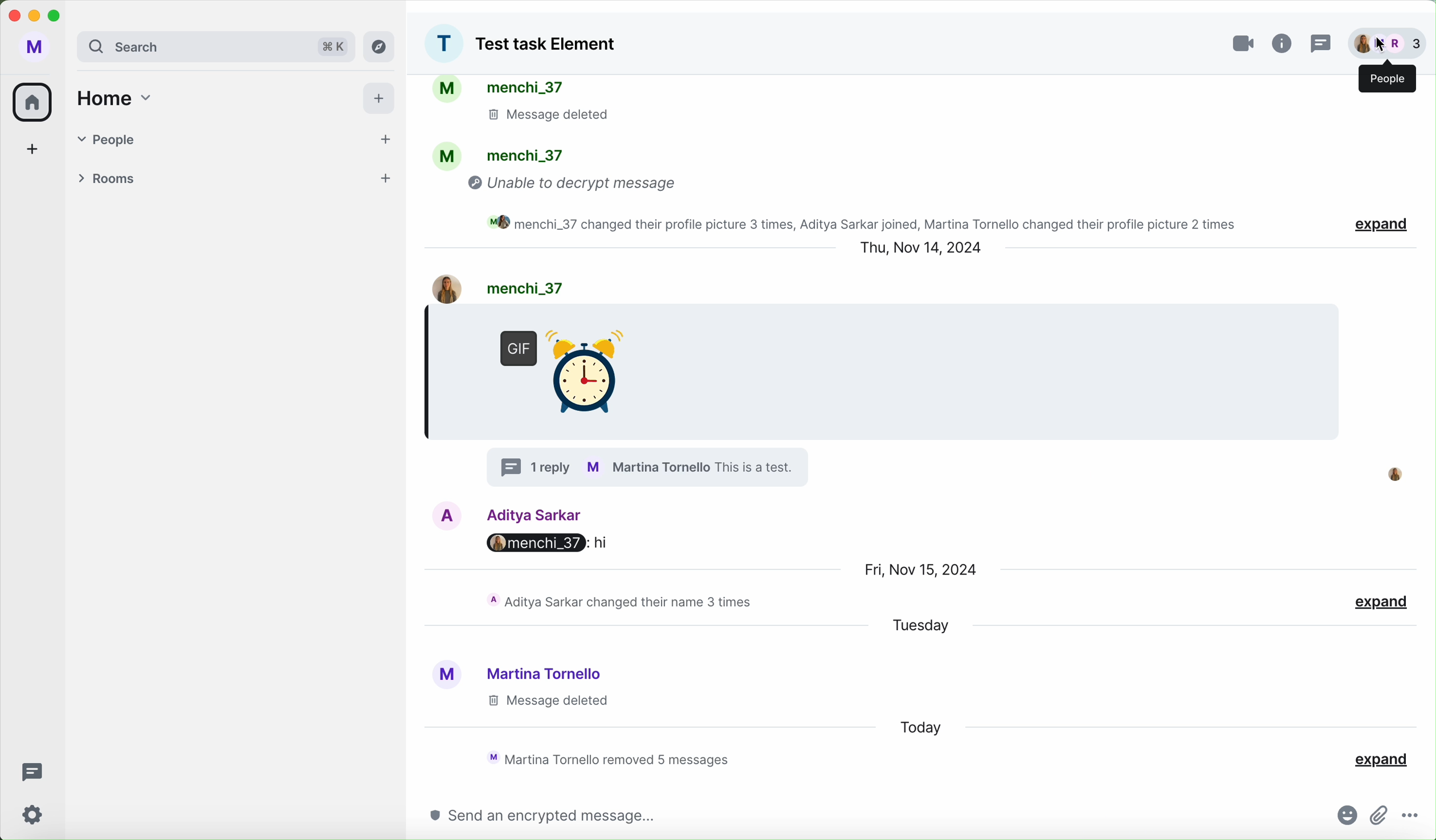 This screenshot has height=840, width=1436. What do you see at coordinates (921, 247) in the screenshot?
I see `date` at bounding box center [921, 247].